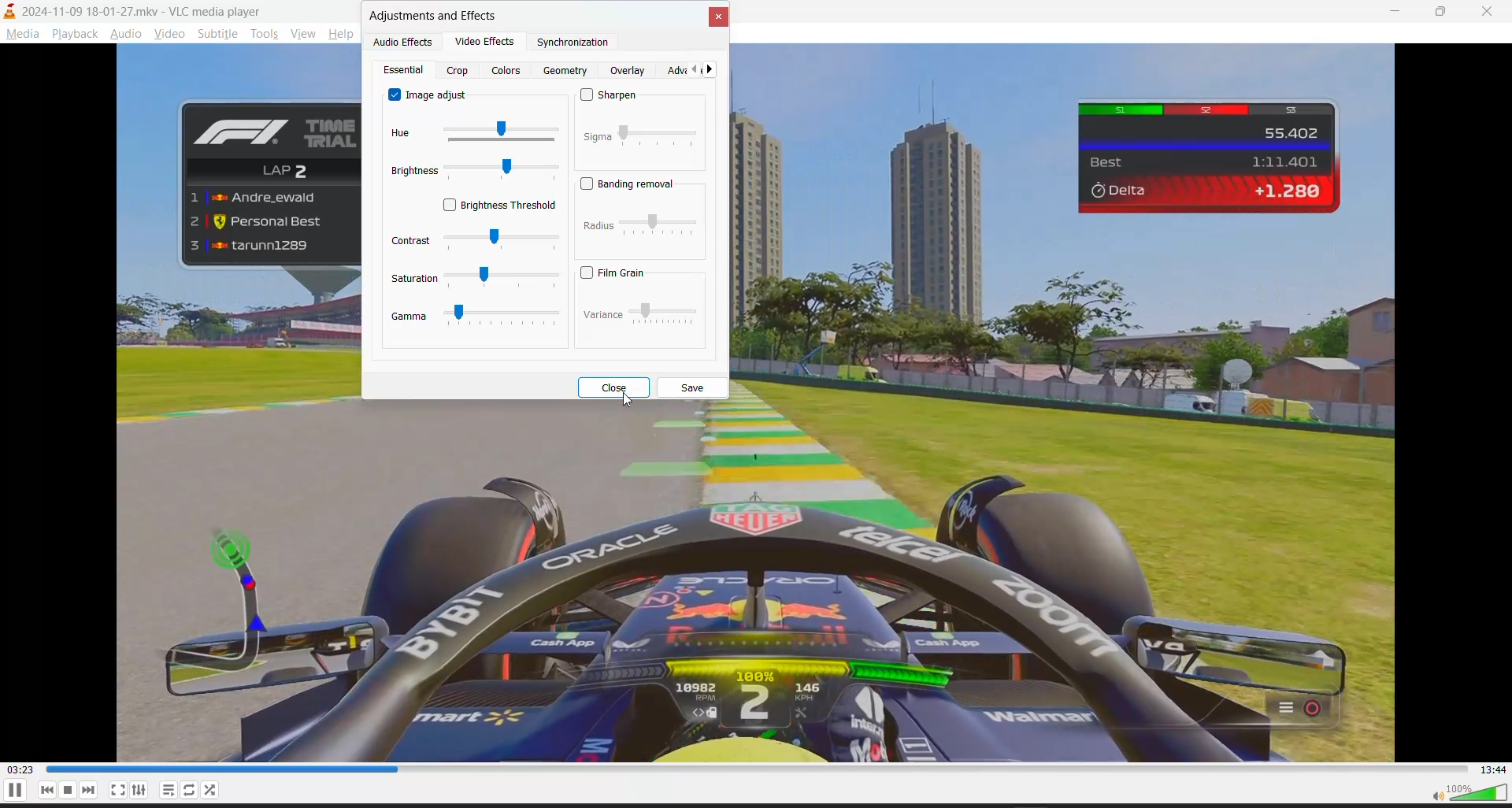  Describe the element at coordinates (599, 225) in the screenshot. I see `` at that location.